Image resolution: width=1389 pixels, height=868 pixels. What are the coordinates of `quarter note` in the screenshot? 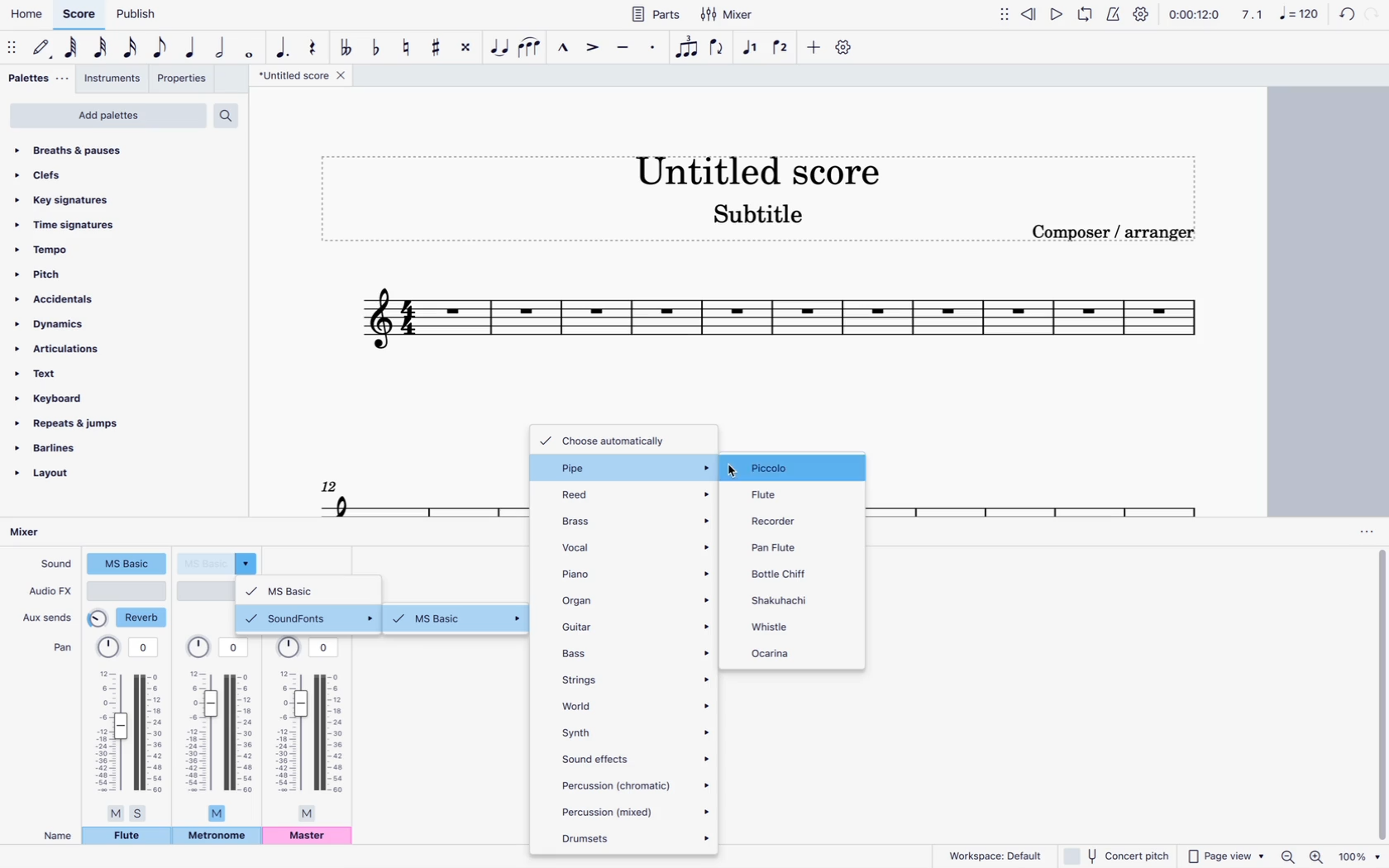 It's located at (191, 48).